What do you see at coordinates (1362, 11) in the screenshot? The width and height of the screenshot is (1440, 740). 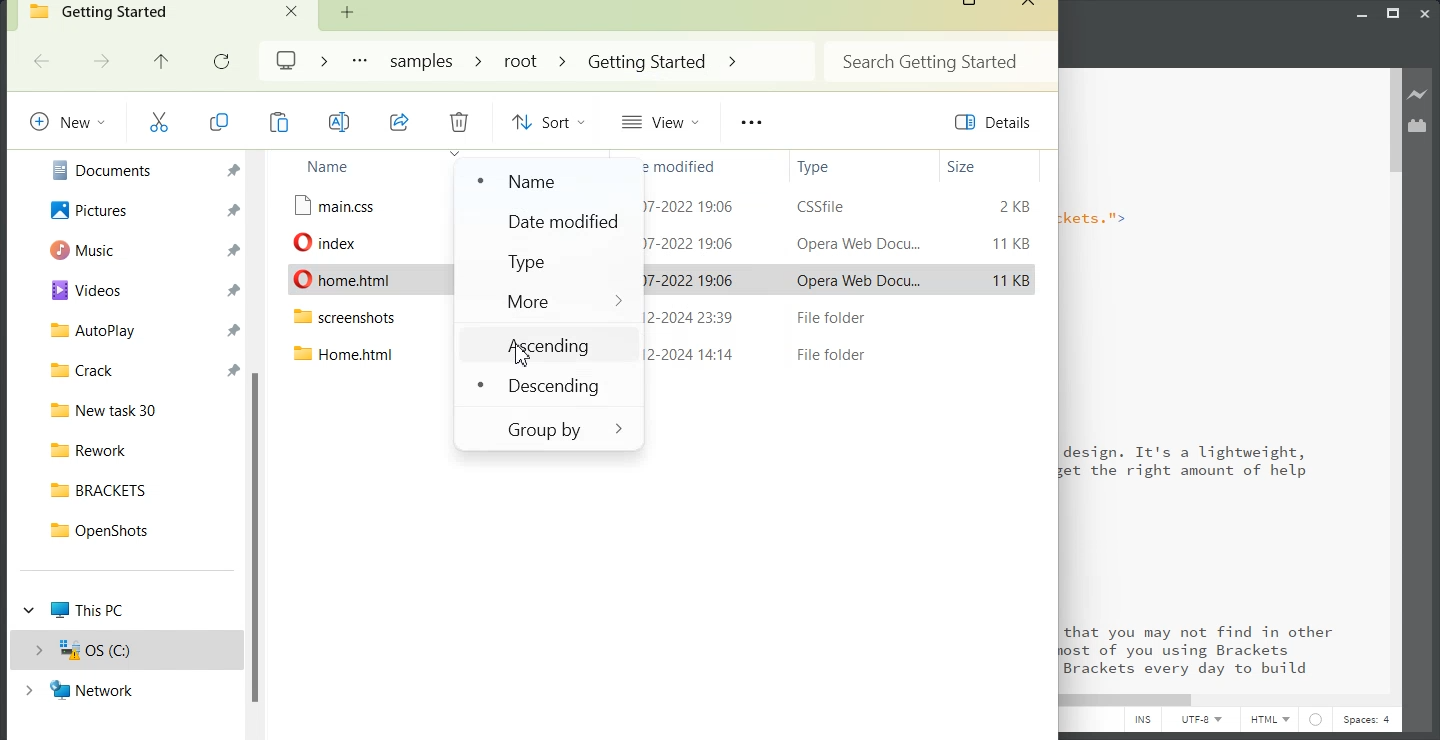 I see `Minimize` at bounding box center [1362, 11].